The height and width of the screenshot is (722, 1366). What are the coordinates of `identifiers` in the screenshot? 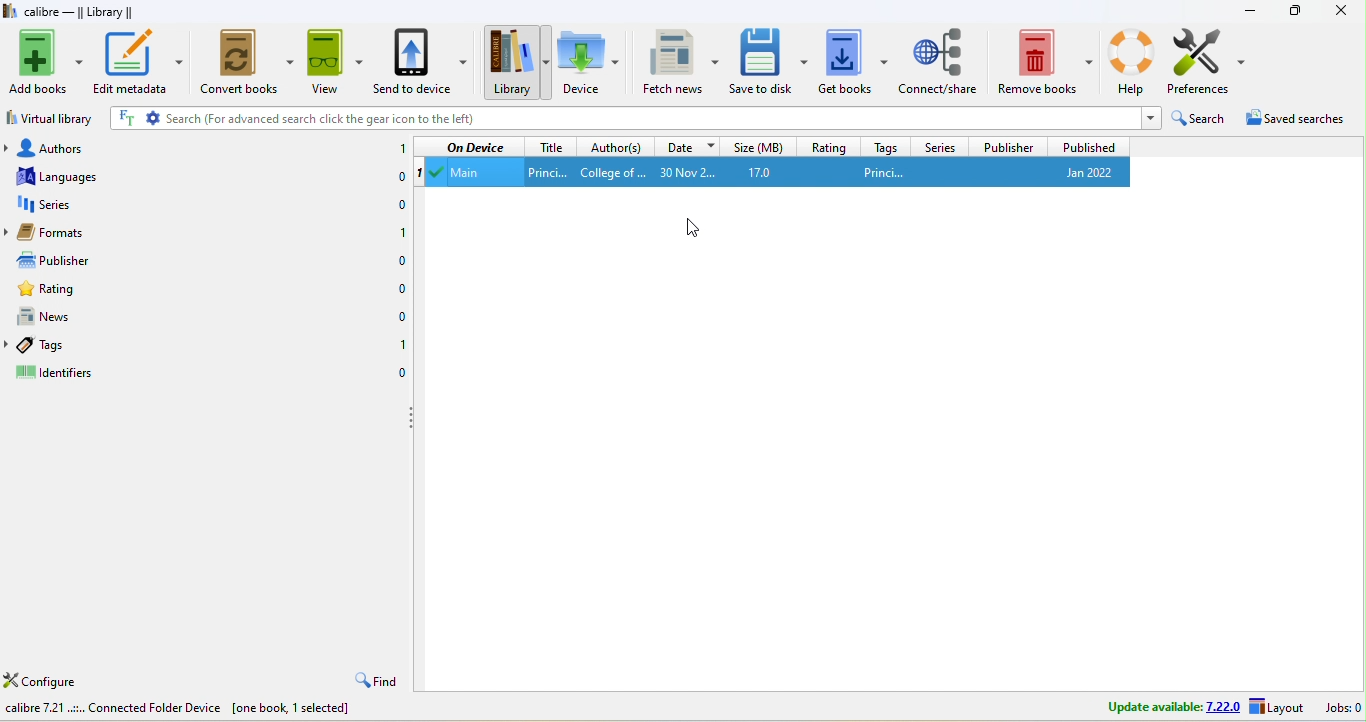 It's located at (69, 372).